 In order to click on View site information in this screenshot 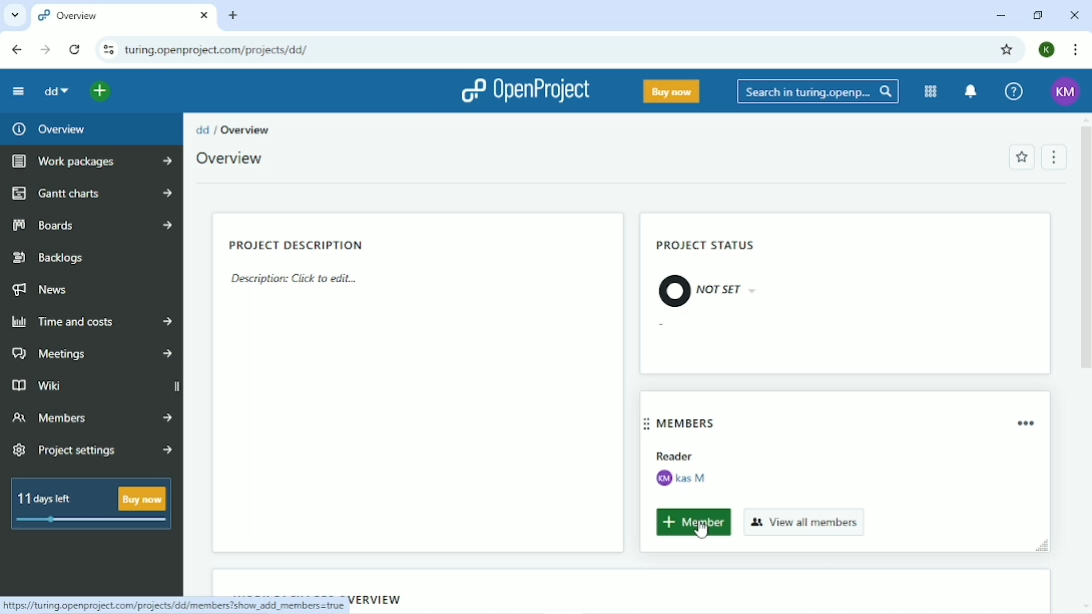, I will do `click(106, 48)`.